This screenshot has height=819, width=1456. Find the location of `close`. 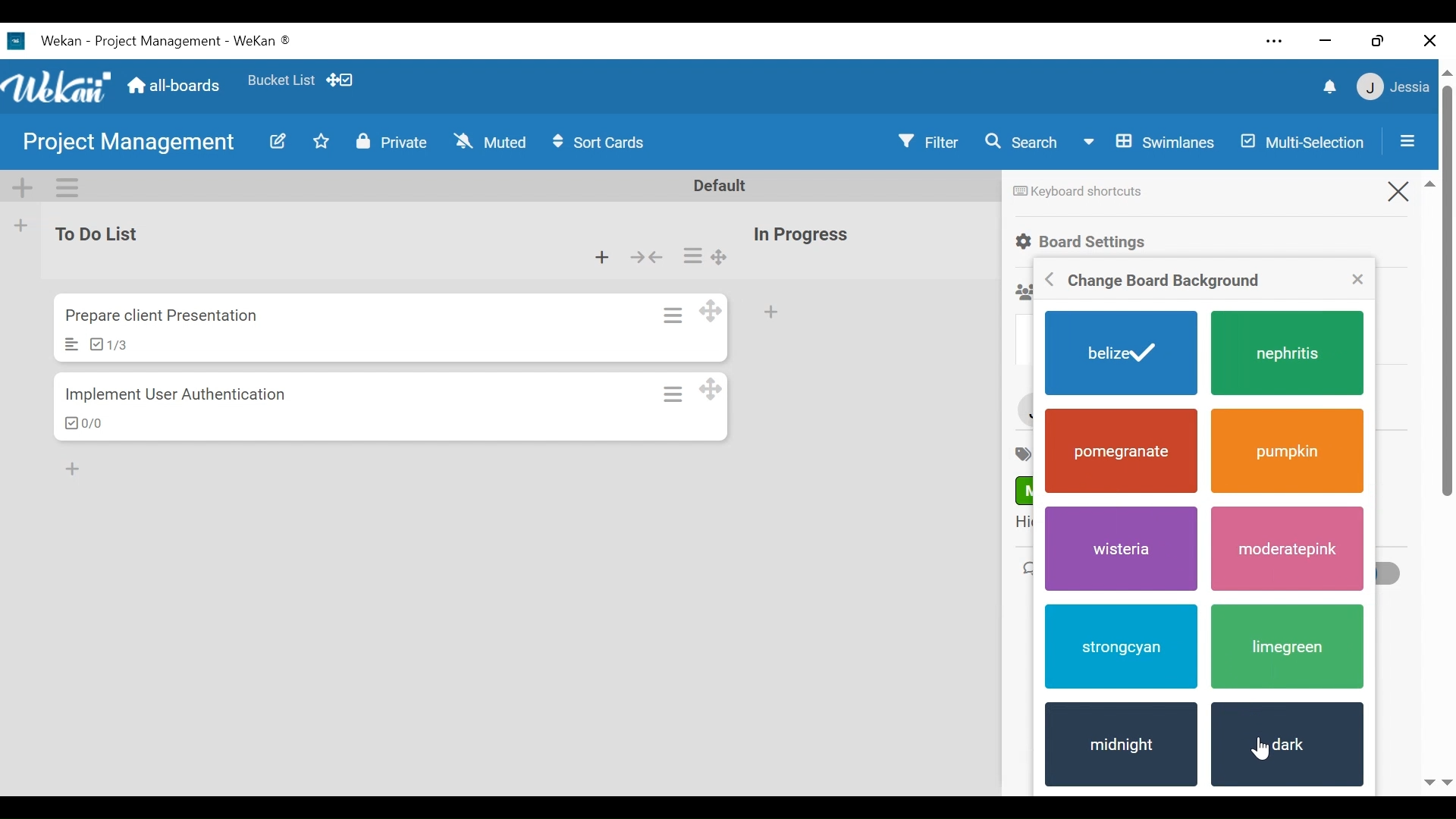

close is located at coordinates (1328, 41).